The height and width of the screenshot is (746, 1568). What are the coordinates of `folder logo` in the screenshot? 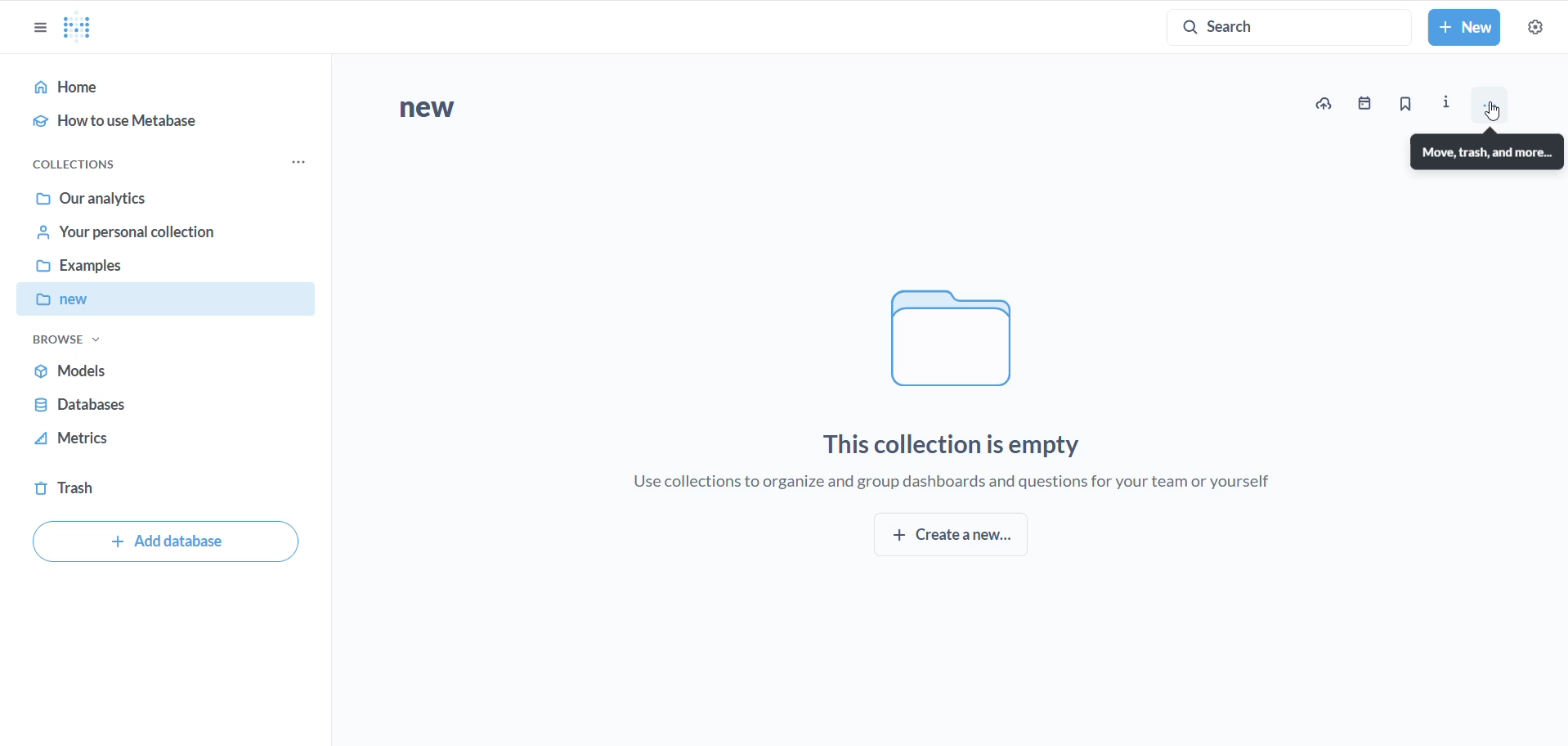 It's located at (953, 334).